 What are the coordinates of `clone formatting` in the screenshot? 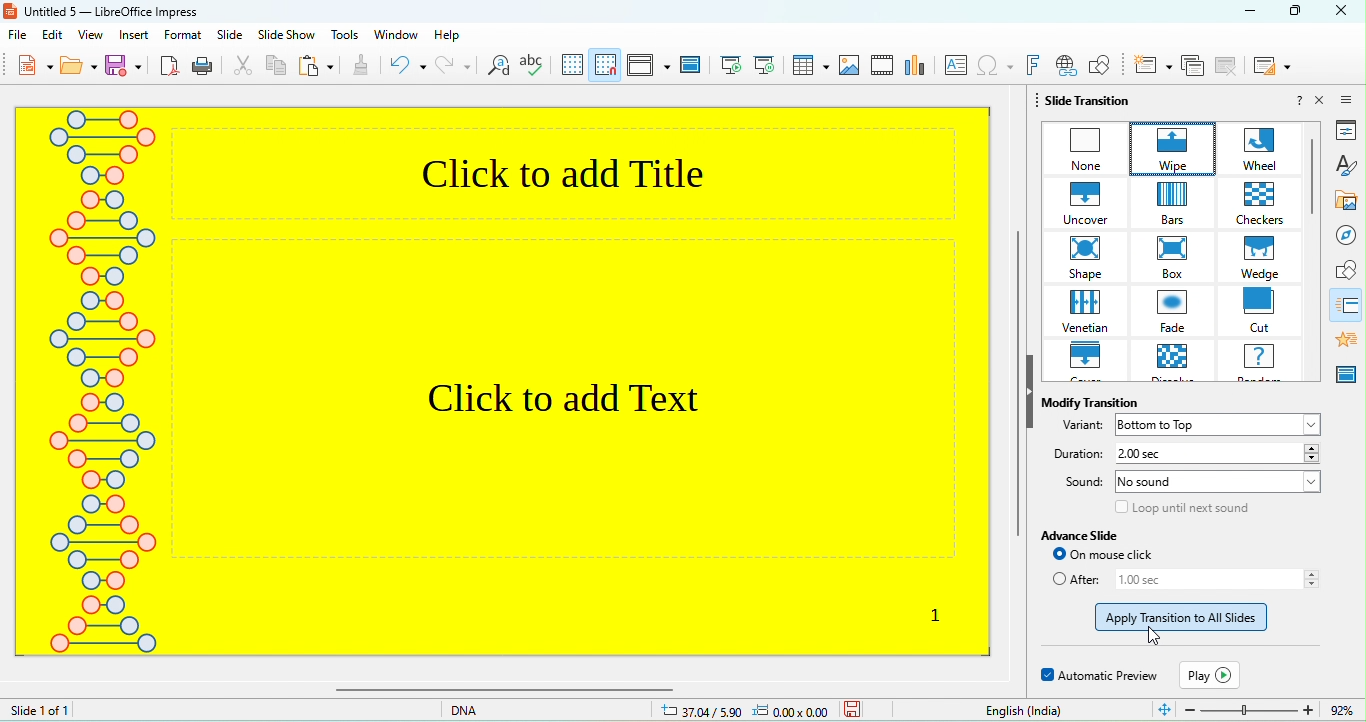 It's located at (365, 65).